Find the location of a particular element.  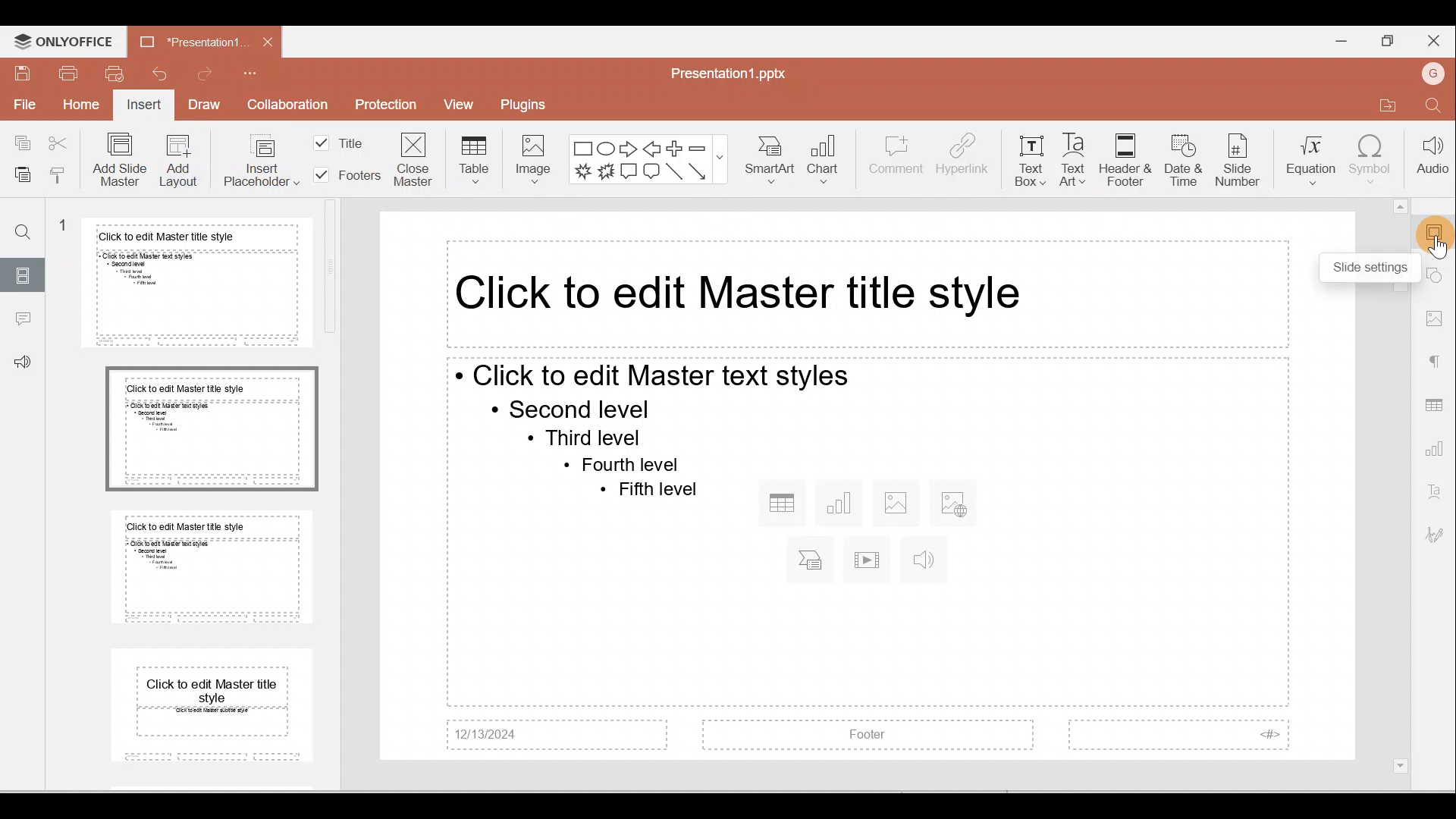

Maximise is located at coordinates (1384, 41).